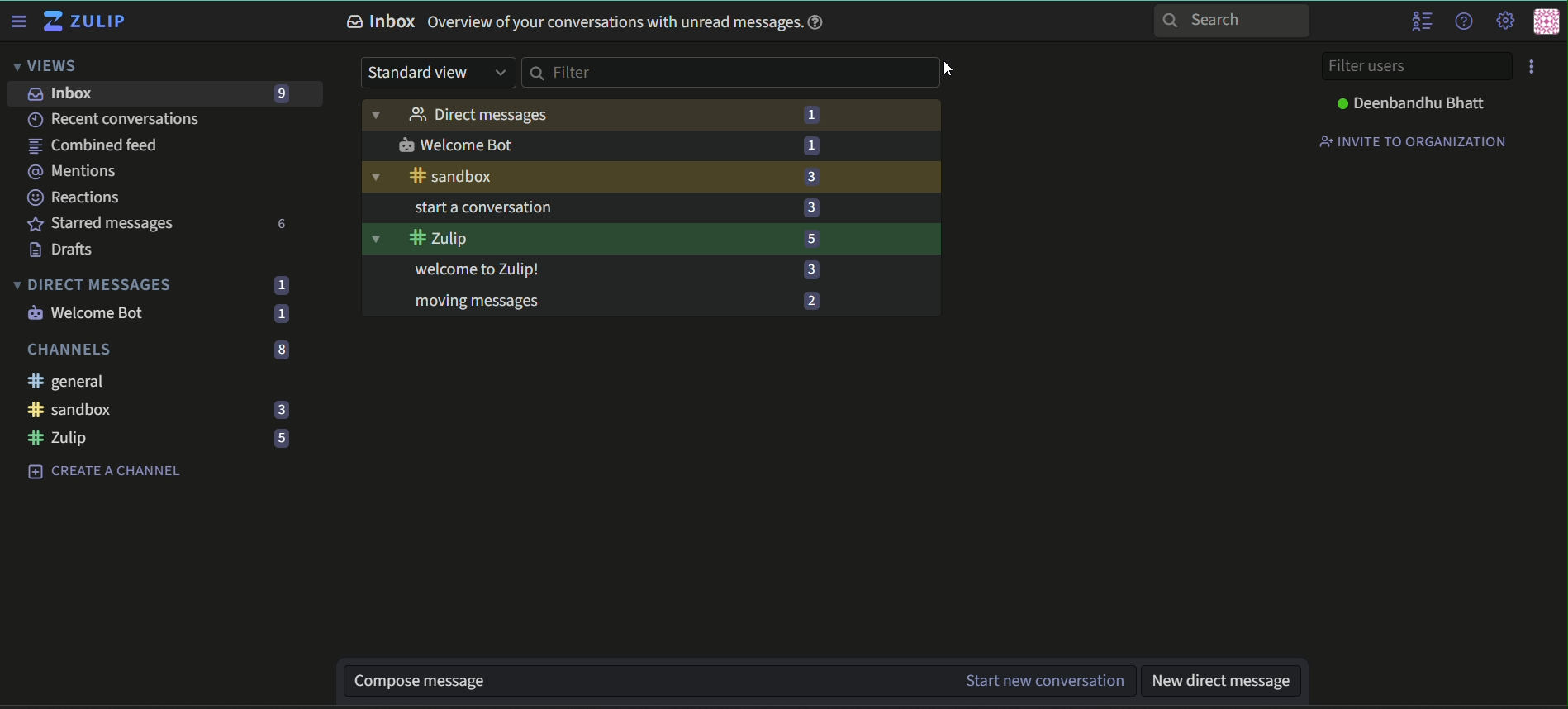  What do you see at coordinates (69, 381) in the screenshot?
I see `General` at bounding box center [69, 381].